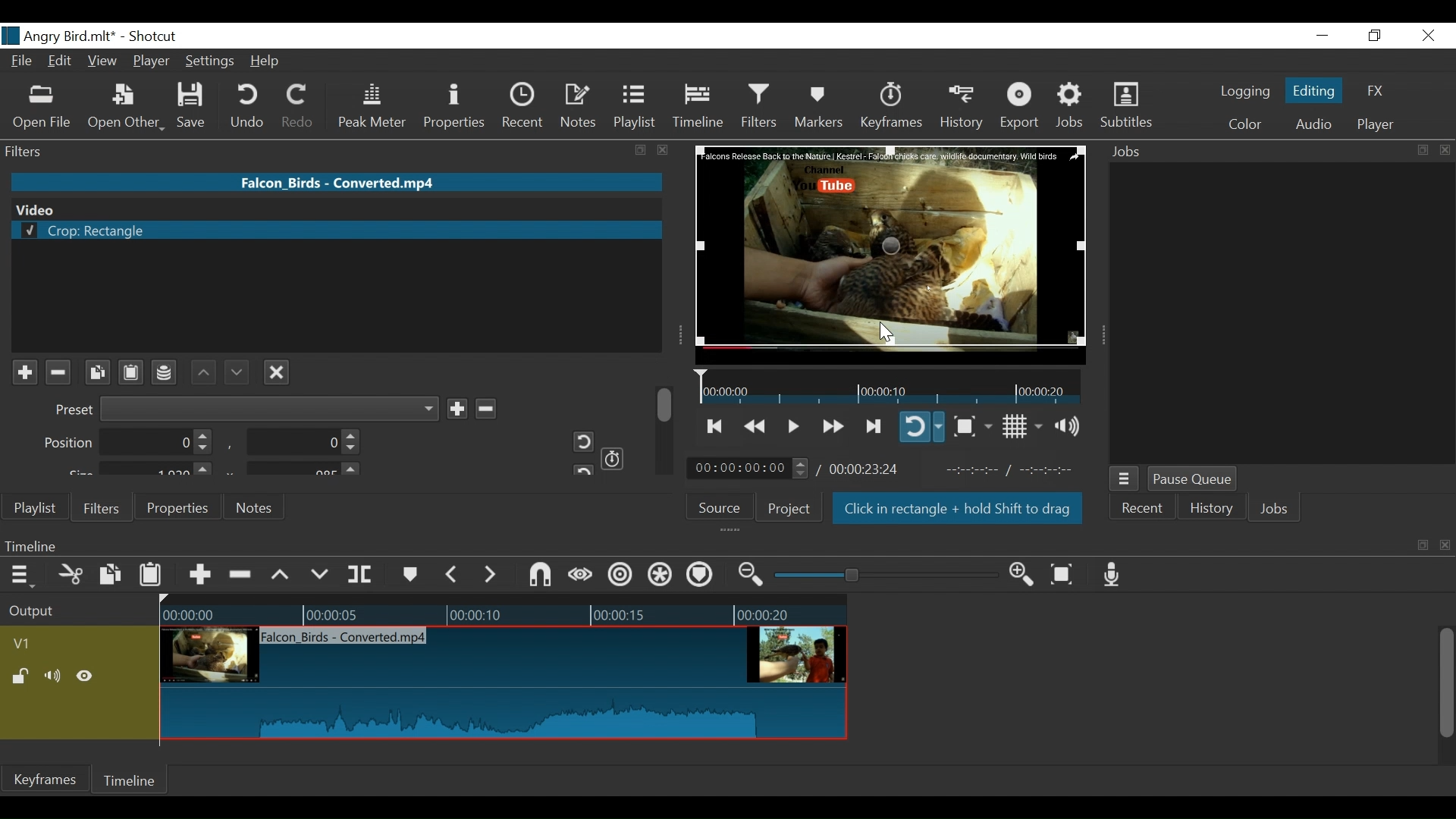  I want to click on Peak Meter, so click(375, 107).